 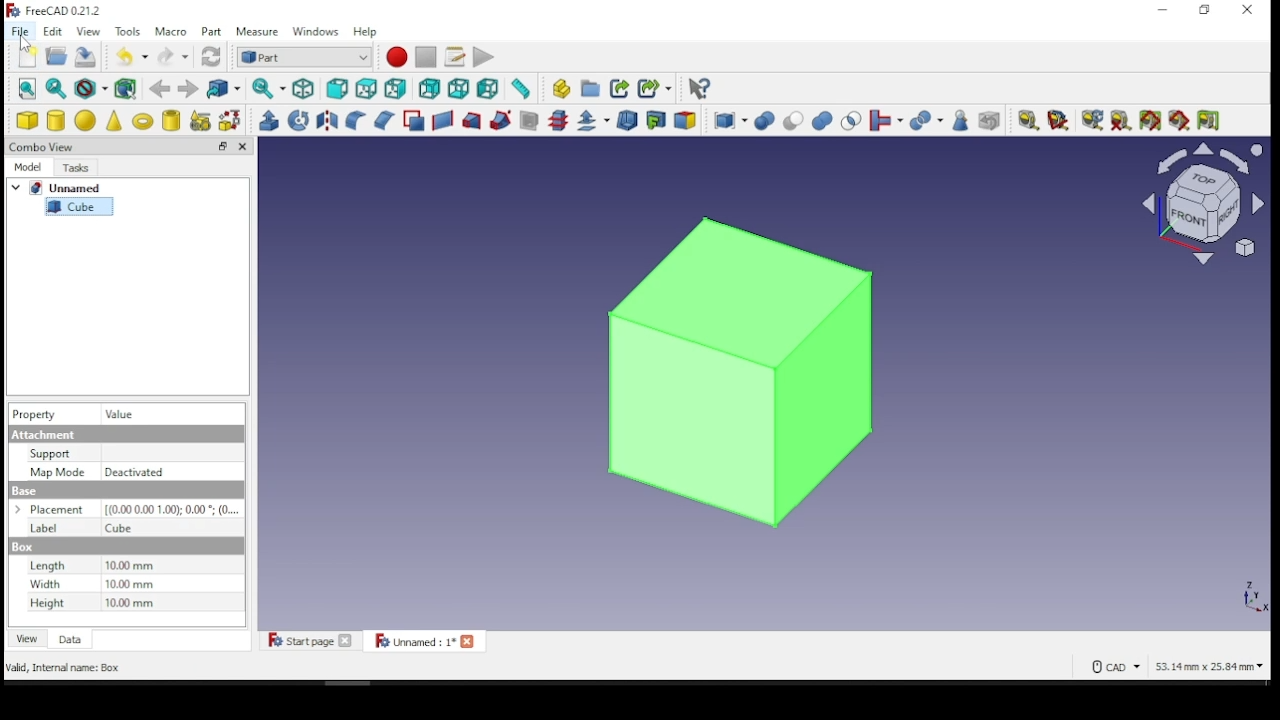 What do you see at coordinates (214, 31) in the screenshot?
I see `part` at bounding box center [214, 31].